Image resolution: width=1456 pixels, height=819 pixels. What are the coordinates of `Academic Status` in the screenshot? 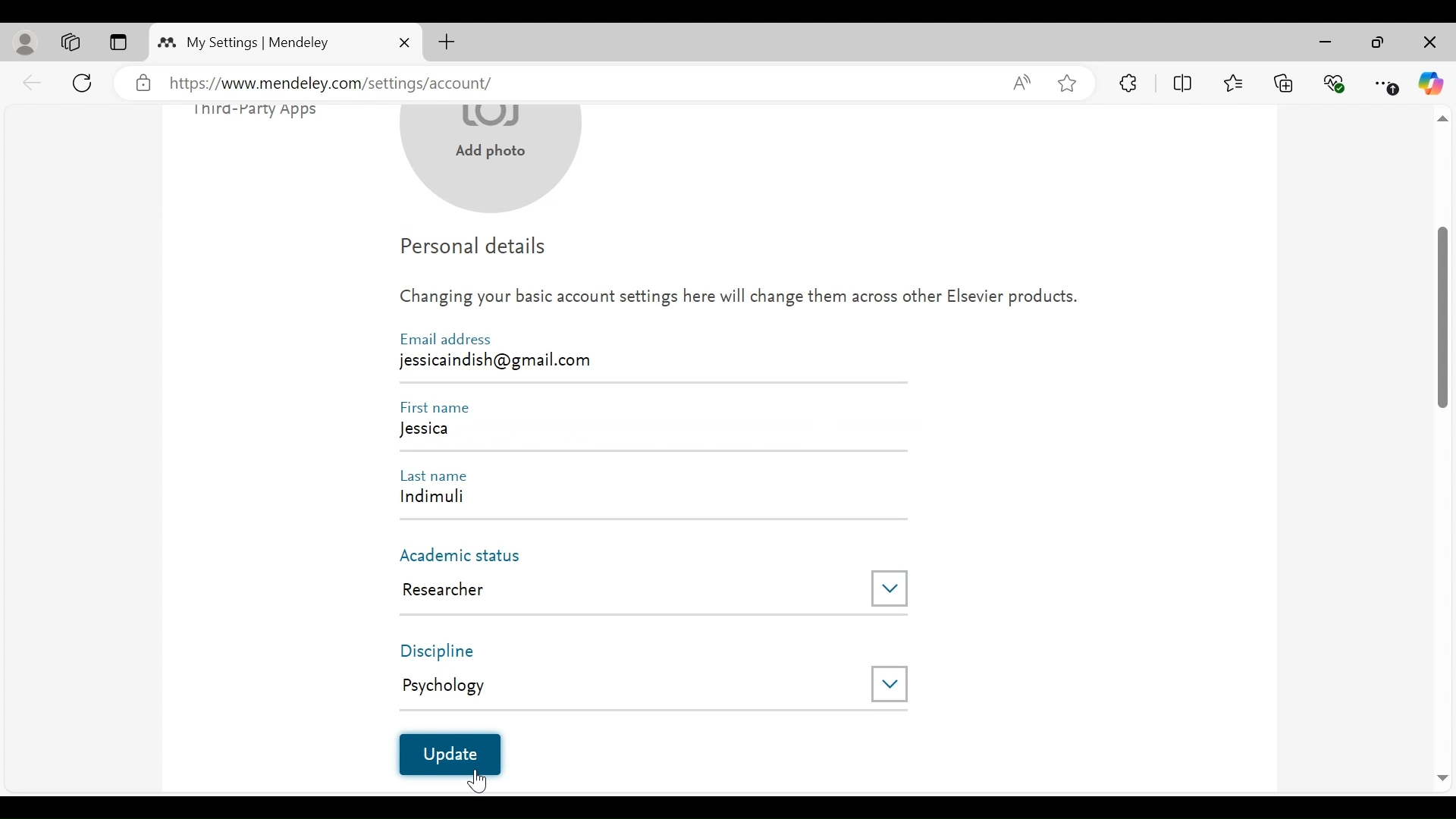 It's located at (468, 556).